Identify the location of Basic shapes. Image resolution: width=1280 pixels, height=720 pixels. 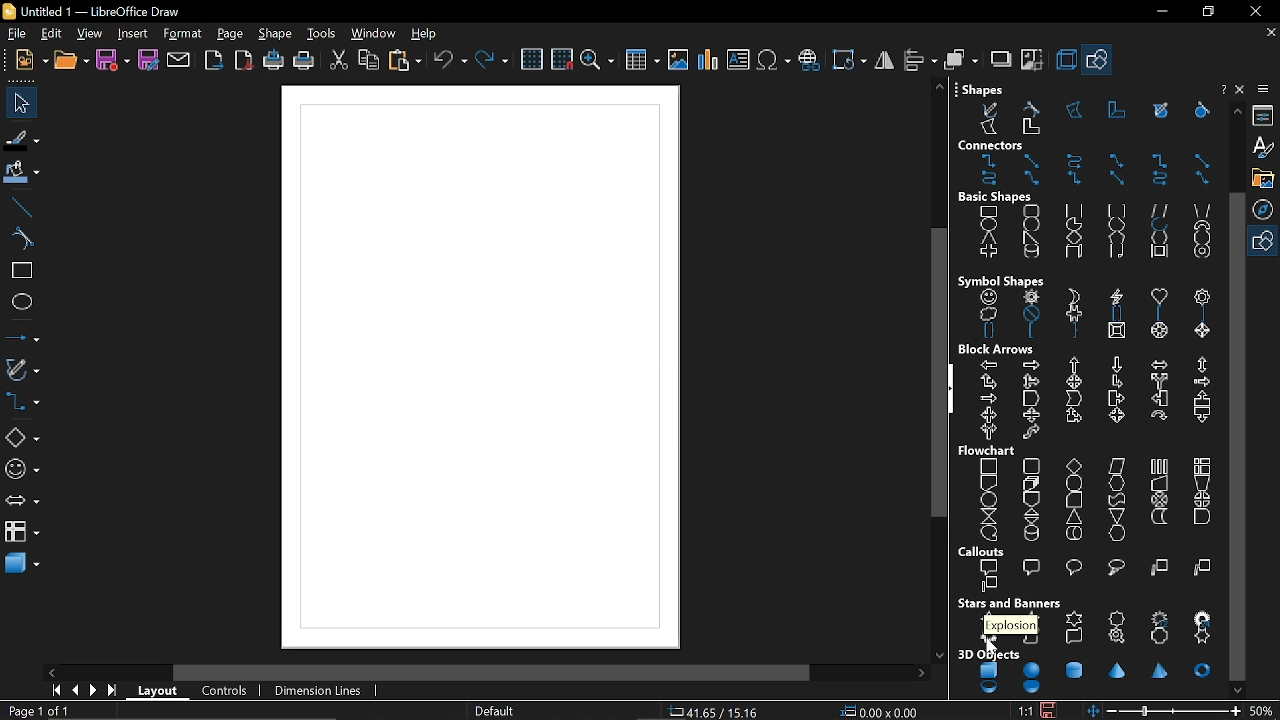
(22, 439).